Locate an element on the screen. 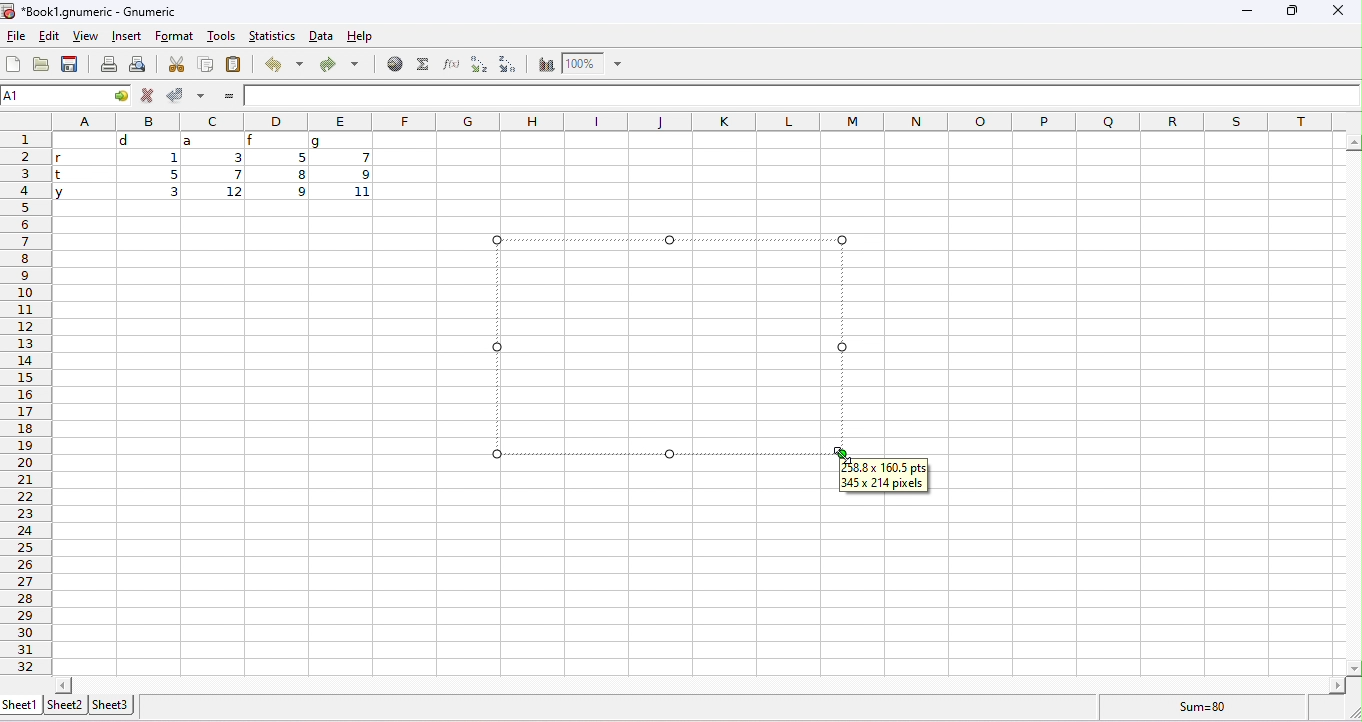  file is located at coordinates (14, 36).